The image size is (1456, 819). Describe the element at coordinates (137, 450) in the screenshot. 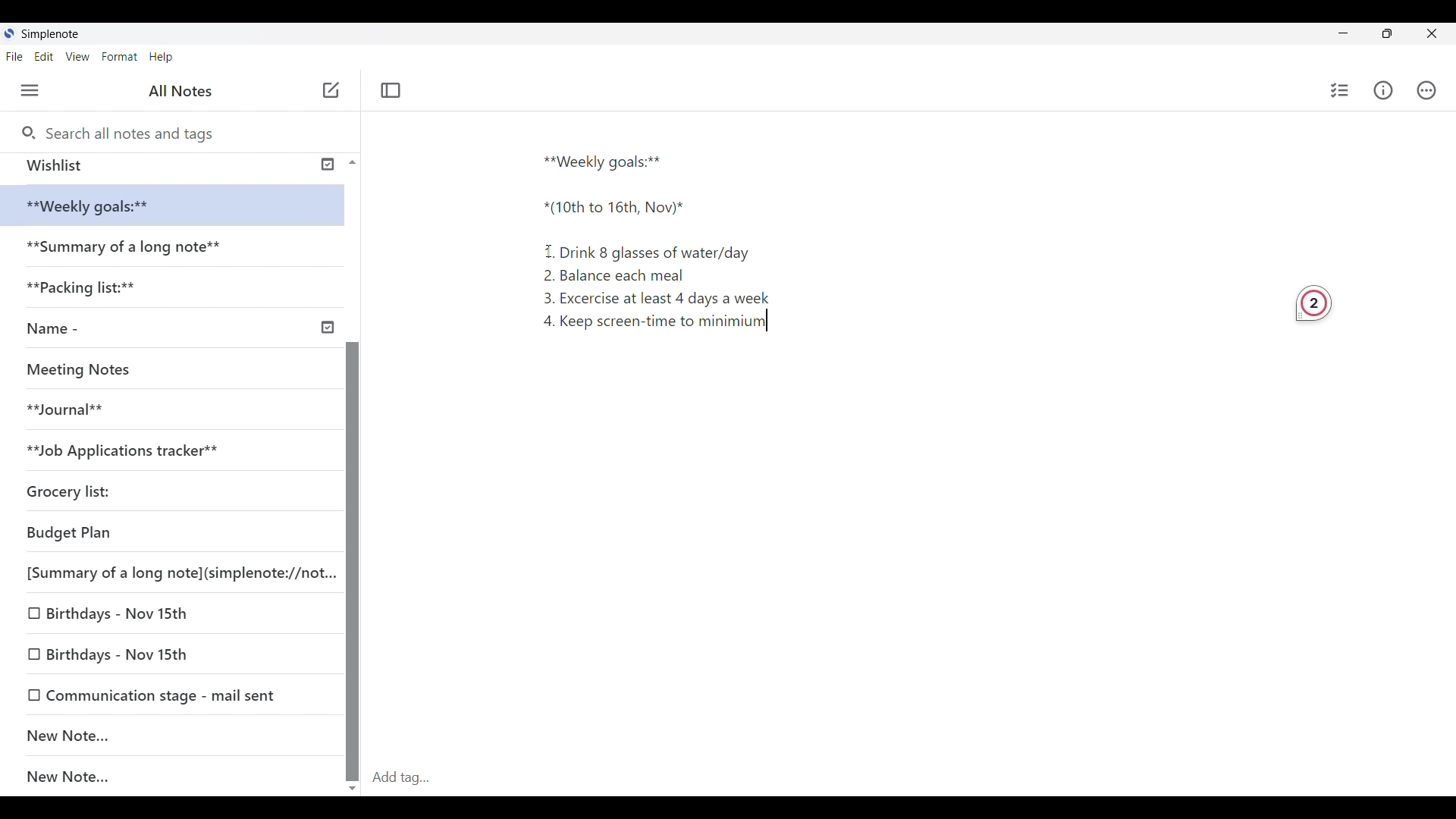

I see `**Job Applications tracker**` at that location.